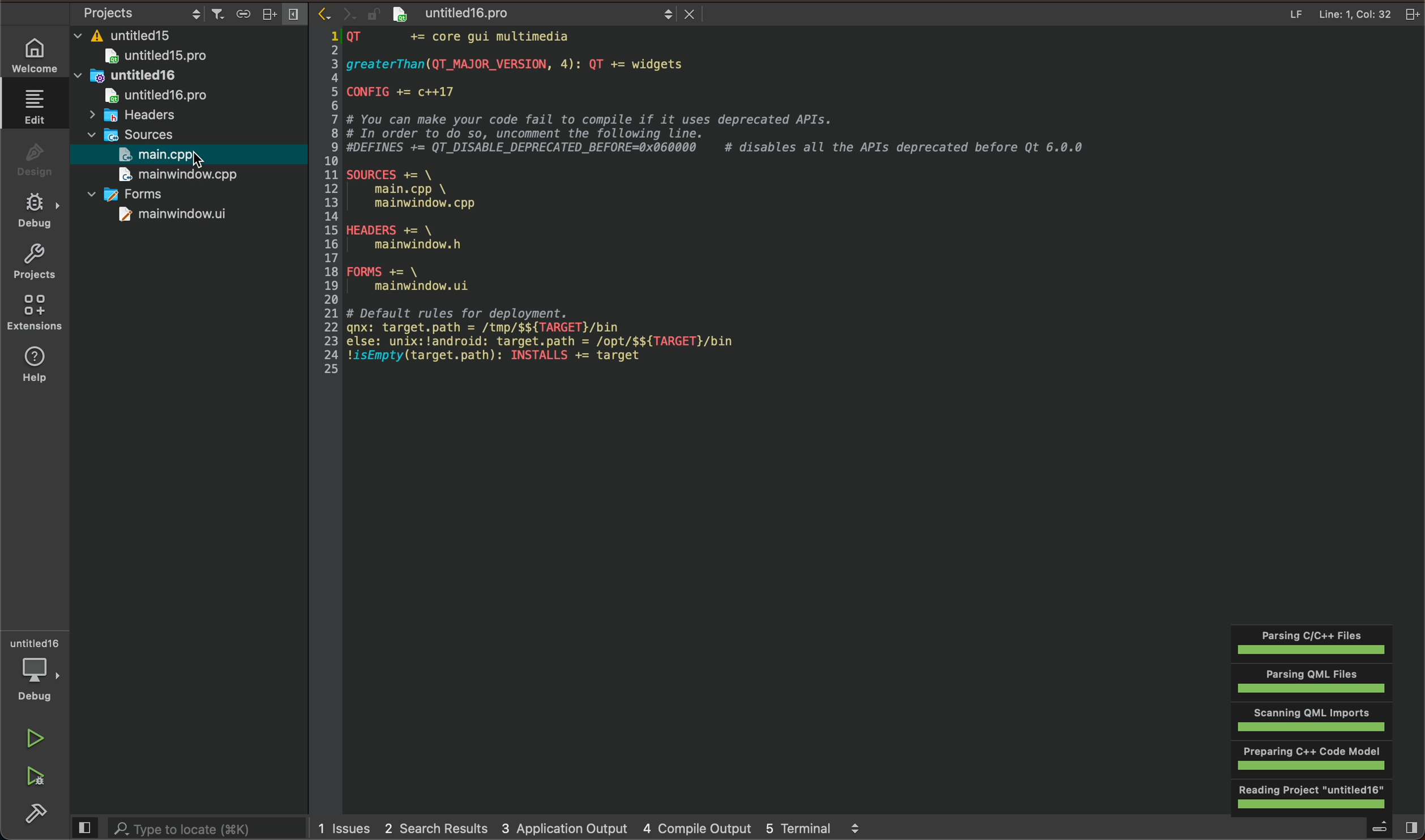 This screenshot has height=840, width=1425. Describe the element at coordinates (508, 13) in the screenshot. I see `file name` at that location.